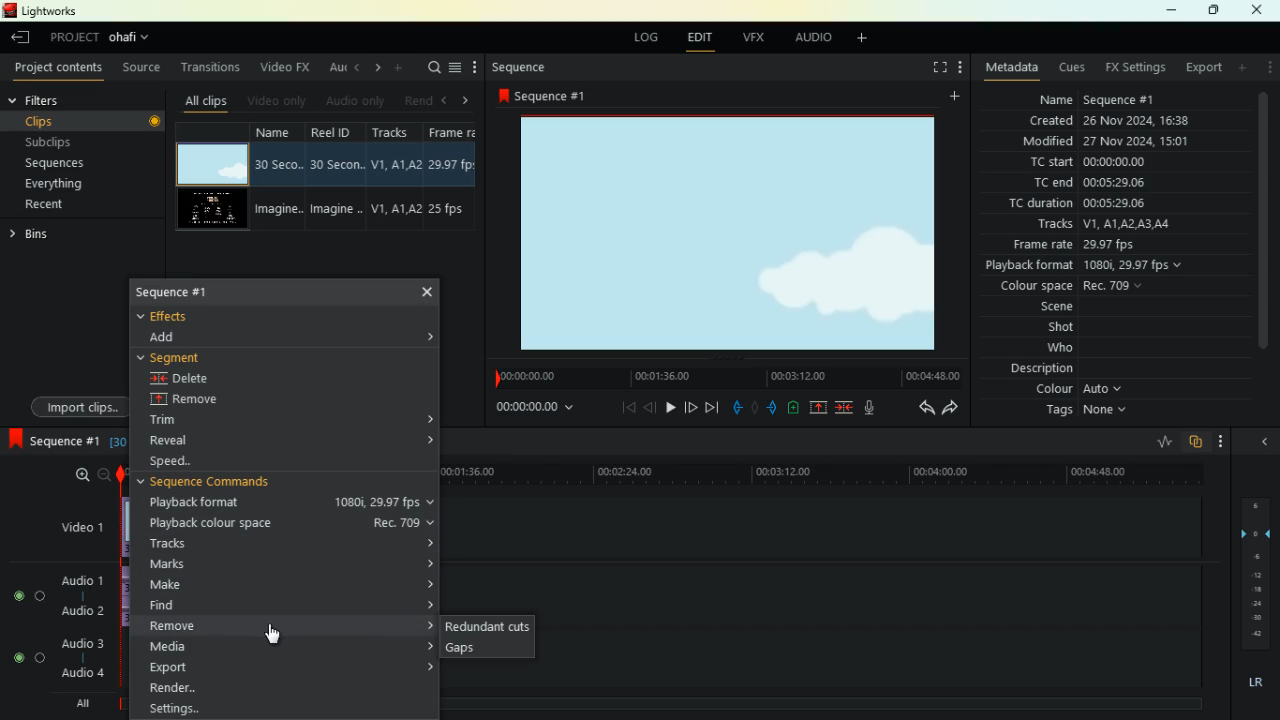 This screenshot has height=720, width=1280. What do you see at coordinates (288, 523) in the screenshot?
I see `playback colour space` at bounding box center [288, 523].